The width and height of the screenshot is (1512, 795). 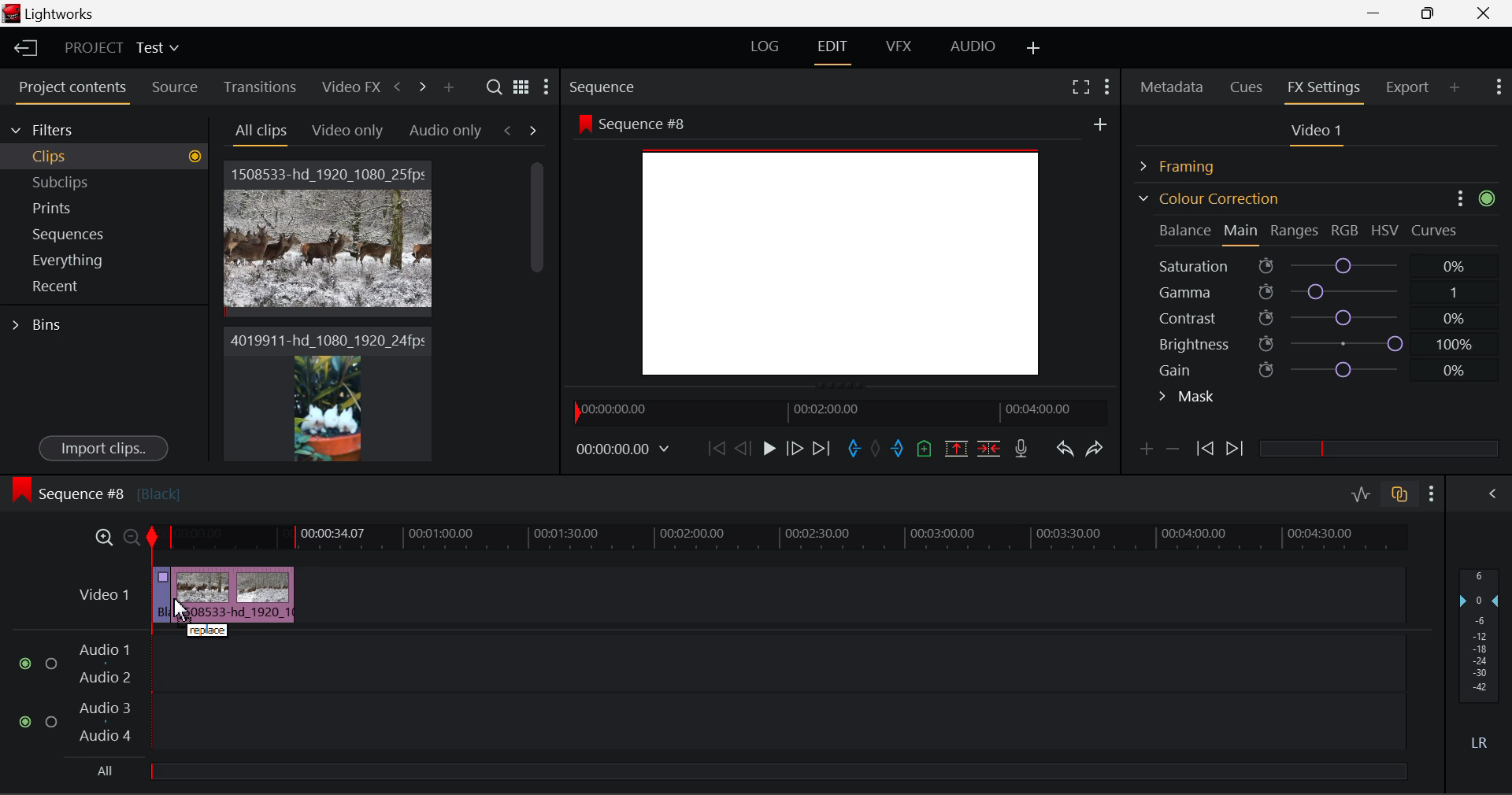 What do you see at coordinates (715, 448) in the screenshot?
I see `To Start` at bounding box center [715, 448].